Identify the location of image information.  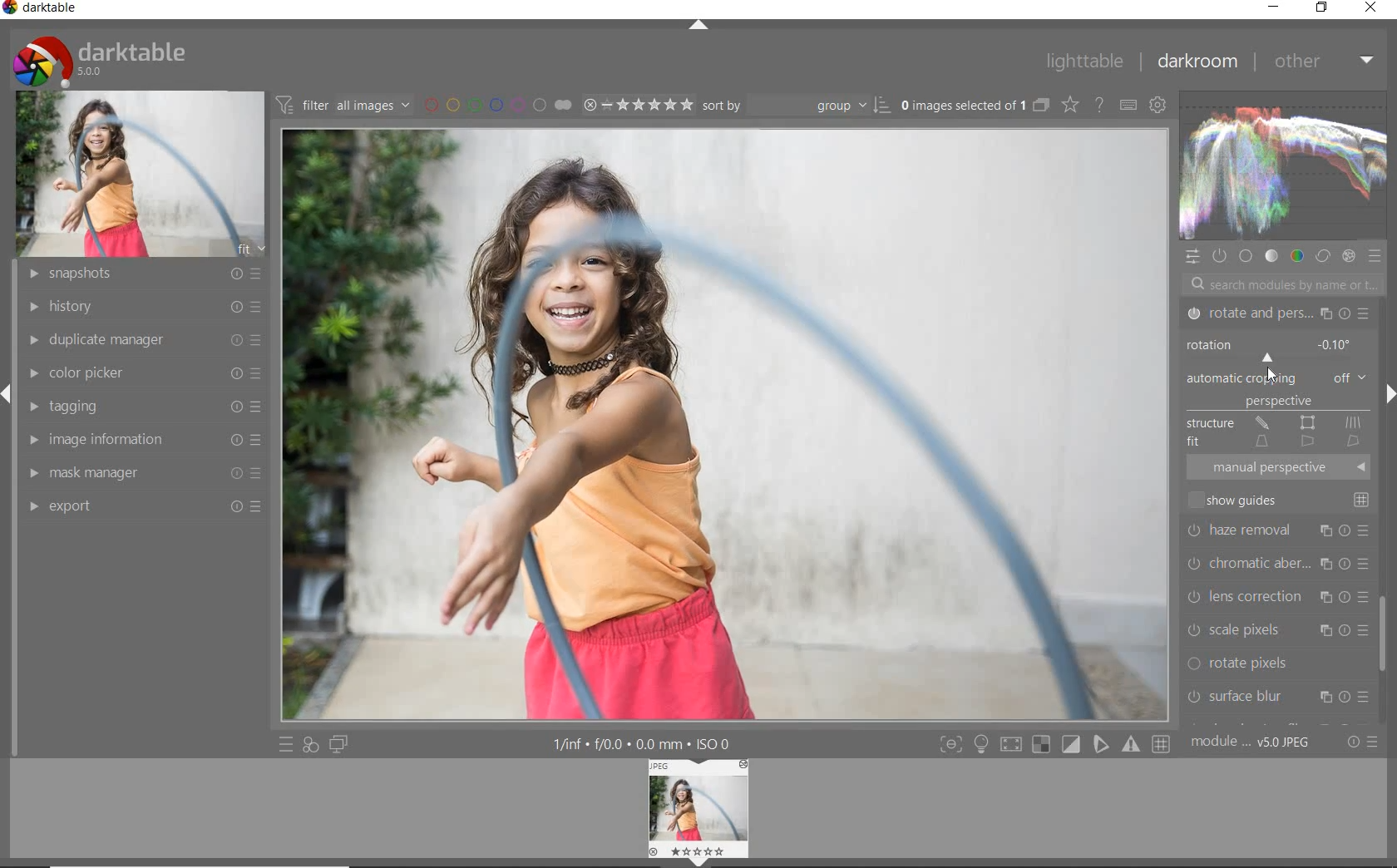
(143, 441).